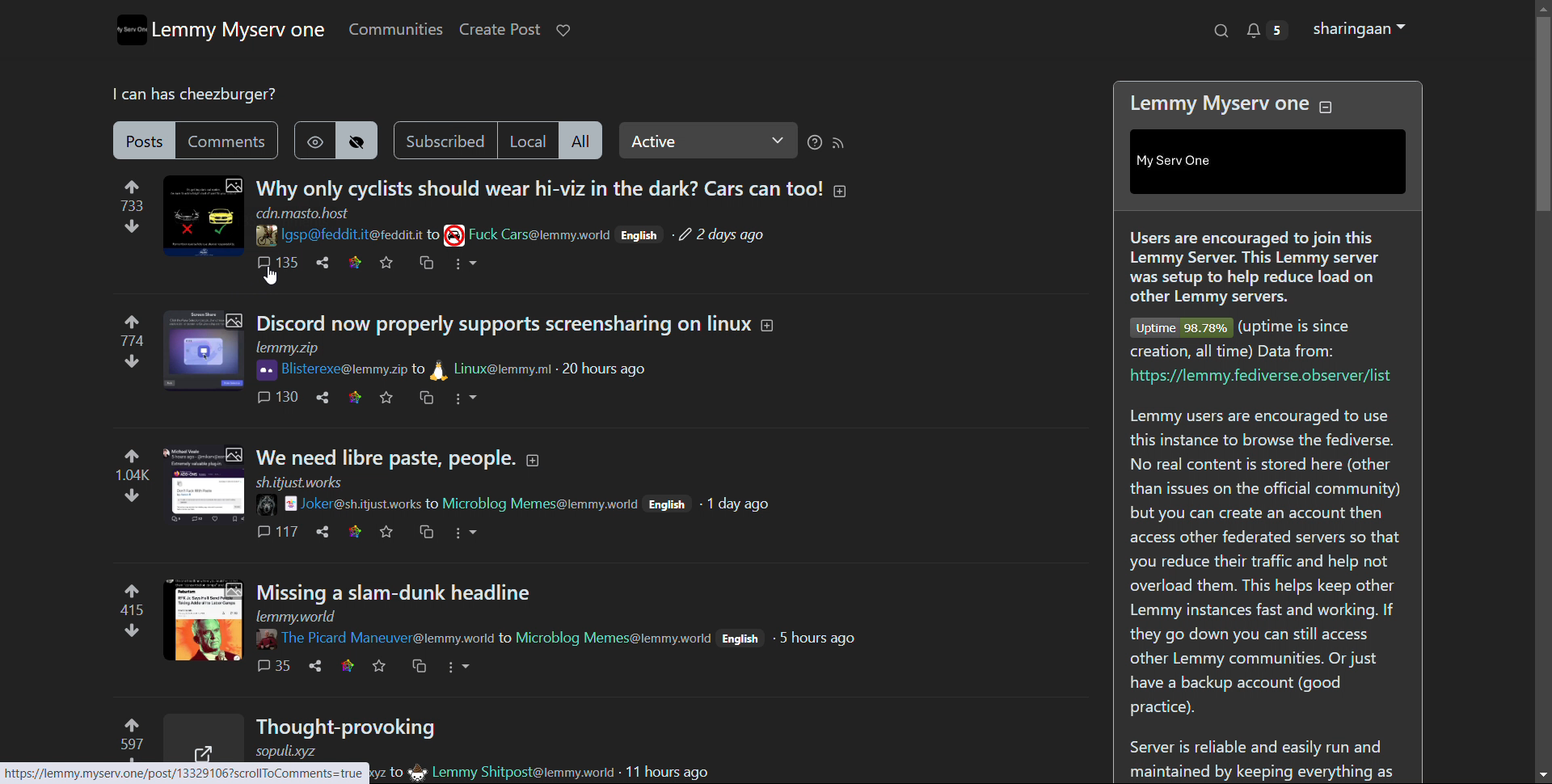 This screenshot has height=784, width=1552. Describe the element at coordinates (555, 639) in the screenshot. I see `VE | #9 The Picard Maneuver@lemmy.world to Microblog Memes@lemmy.world English - 5 hours ago` at that location.